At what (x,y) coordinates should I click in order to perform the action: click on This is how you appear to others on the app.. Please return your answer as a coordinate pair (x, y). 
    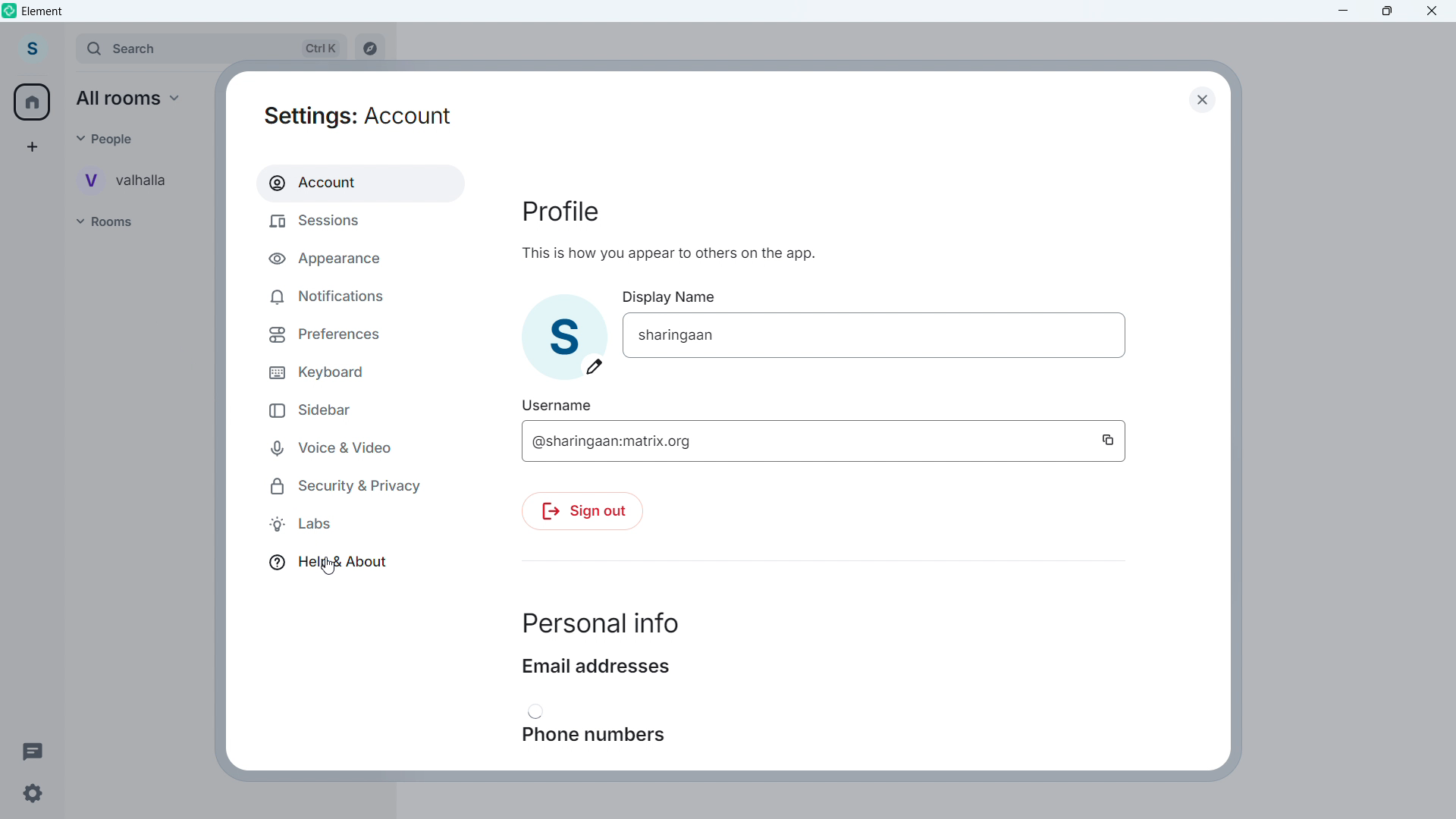
    Looking at the image, I should click on (676, 256).